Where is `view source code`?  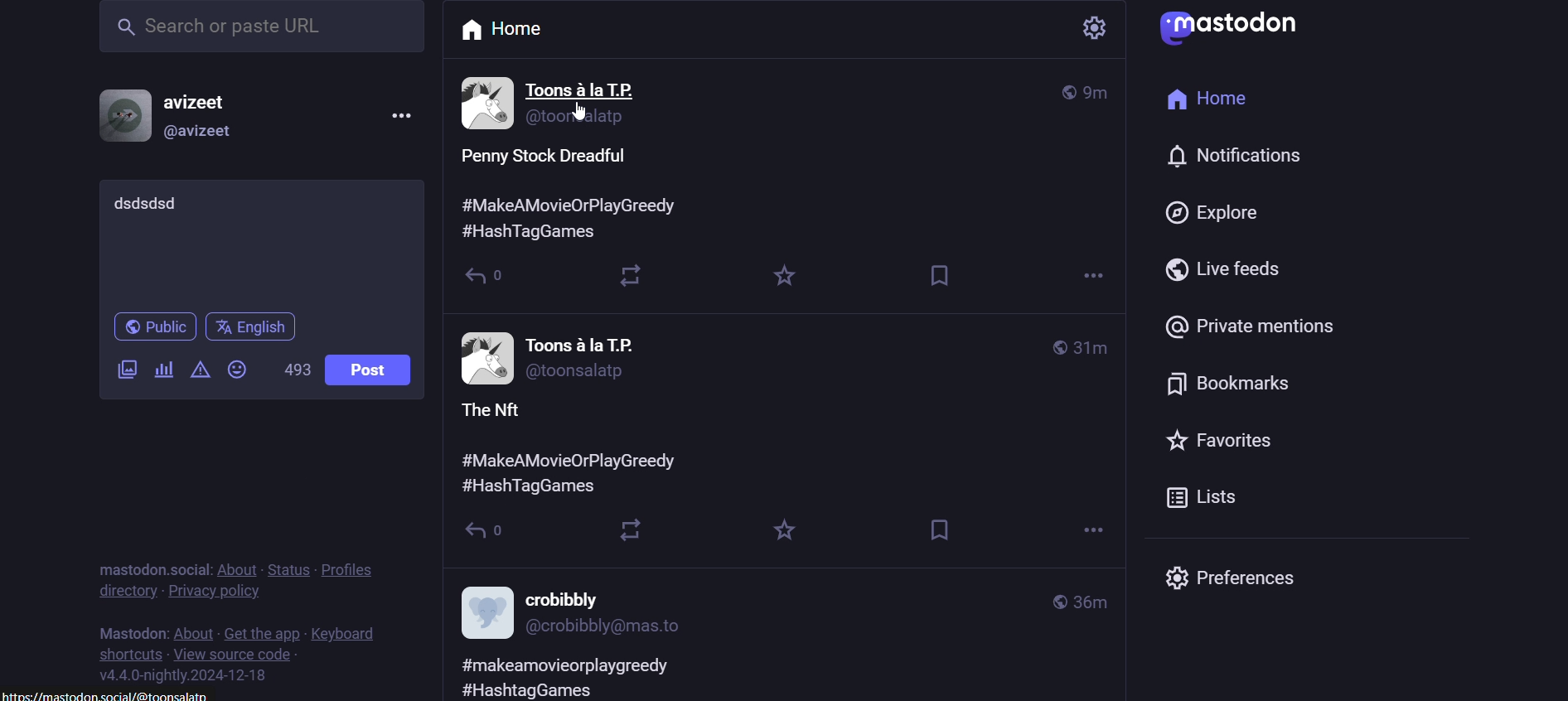
view source code is located at coordinates (239, 656).